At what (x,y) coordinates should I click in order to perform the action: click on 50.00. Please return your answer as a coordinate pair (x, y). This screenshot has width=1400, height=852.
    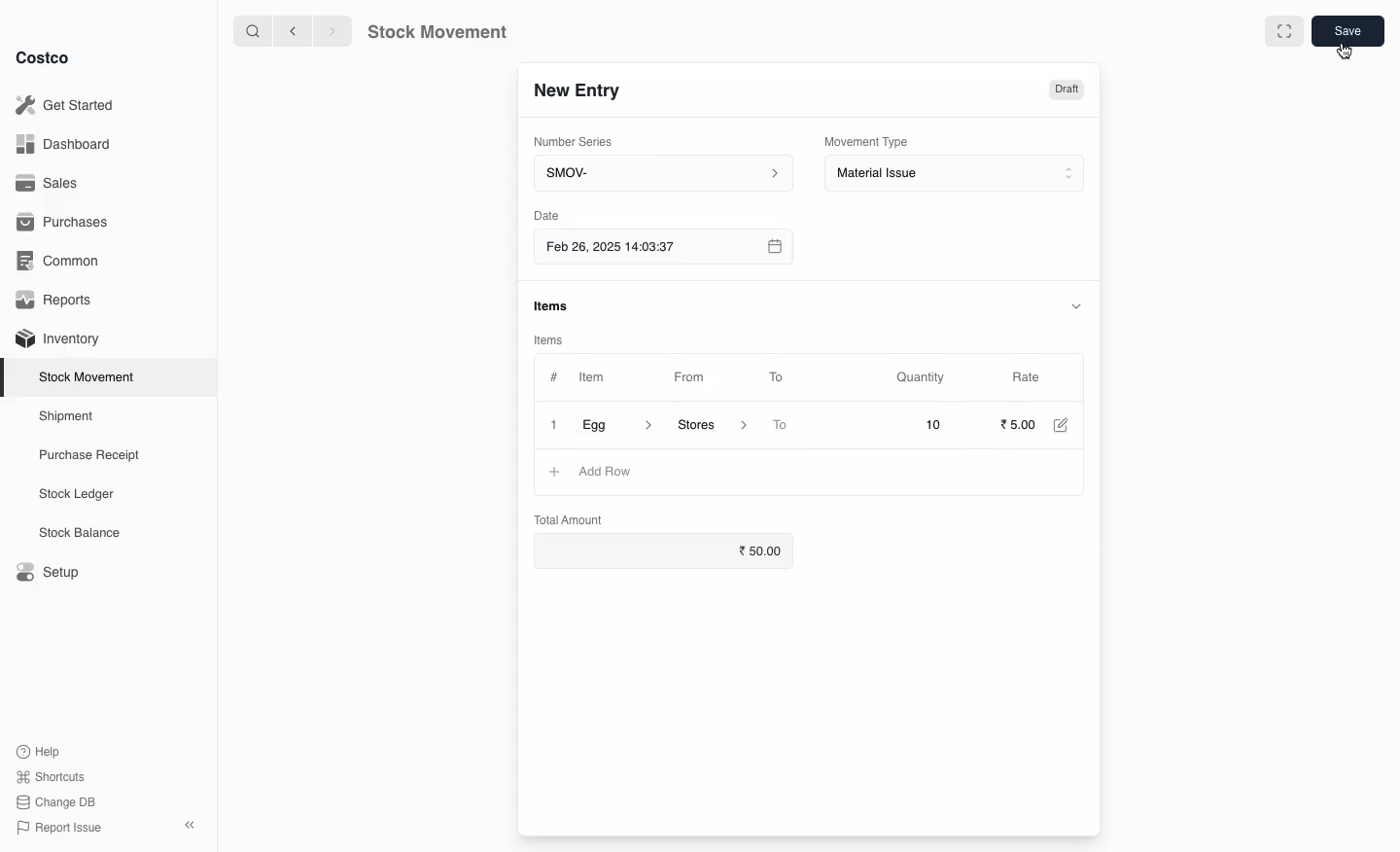
    Looking at the image, I should click on (768, 550).